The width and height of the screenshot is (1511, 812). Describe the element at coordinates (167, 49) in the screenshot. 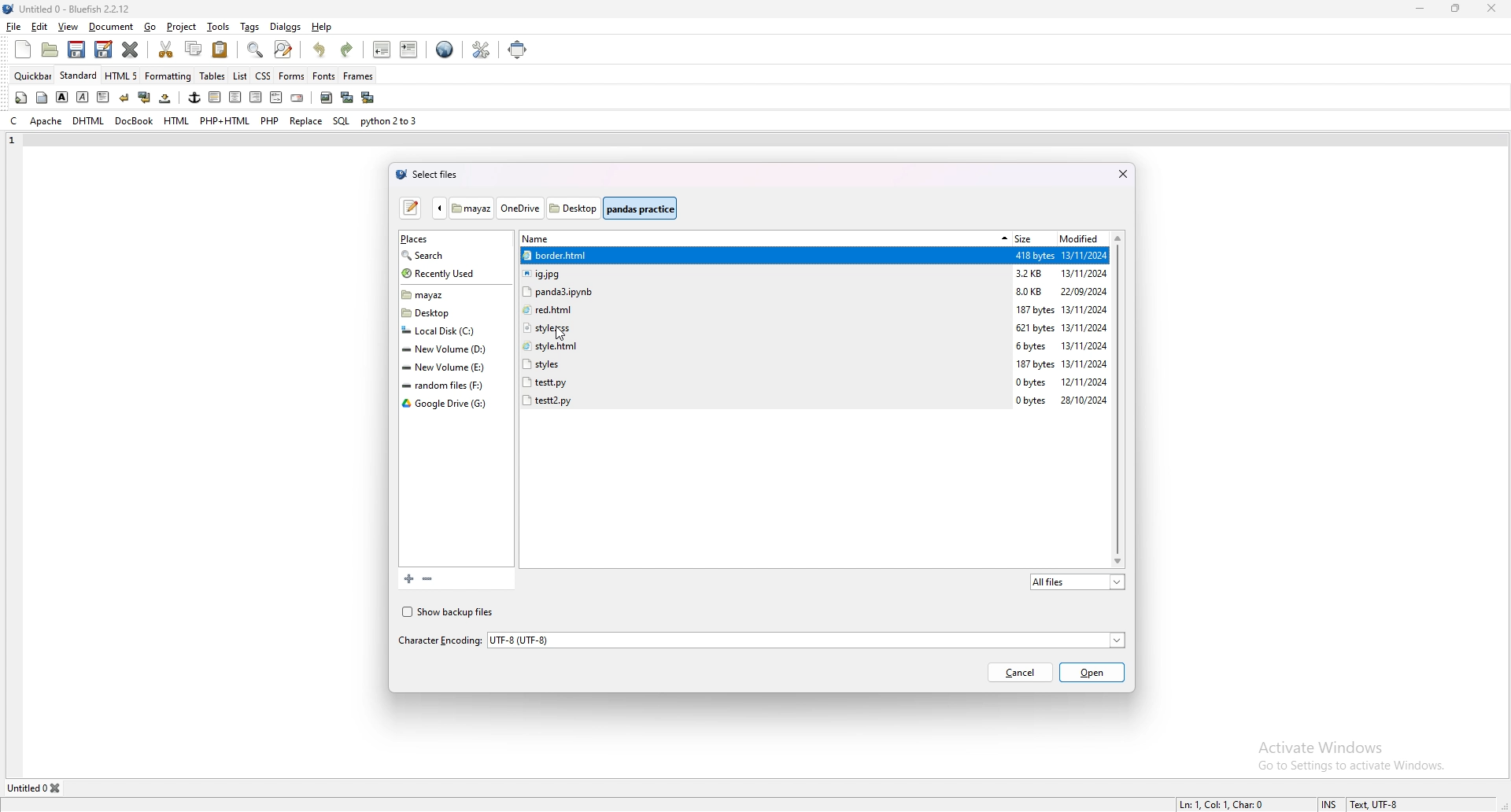

I see `cut` at that location.